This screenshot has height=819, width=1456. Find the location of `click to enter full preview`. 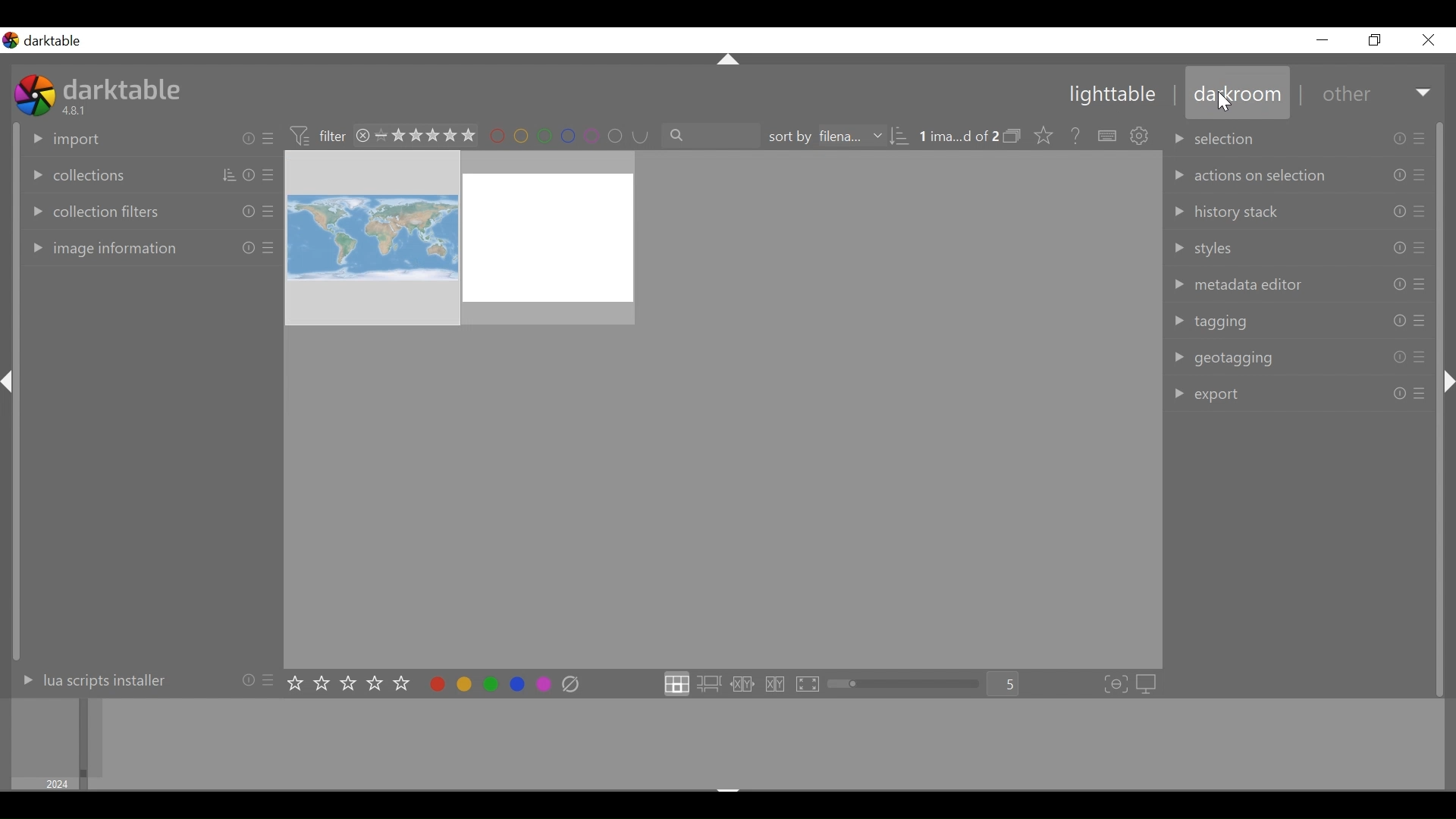

click to enter full preview is located at coordinates (808, 685).